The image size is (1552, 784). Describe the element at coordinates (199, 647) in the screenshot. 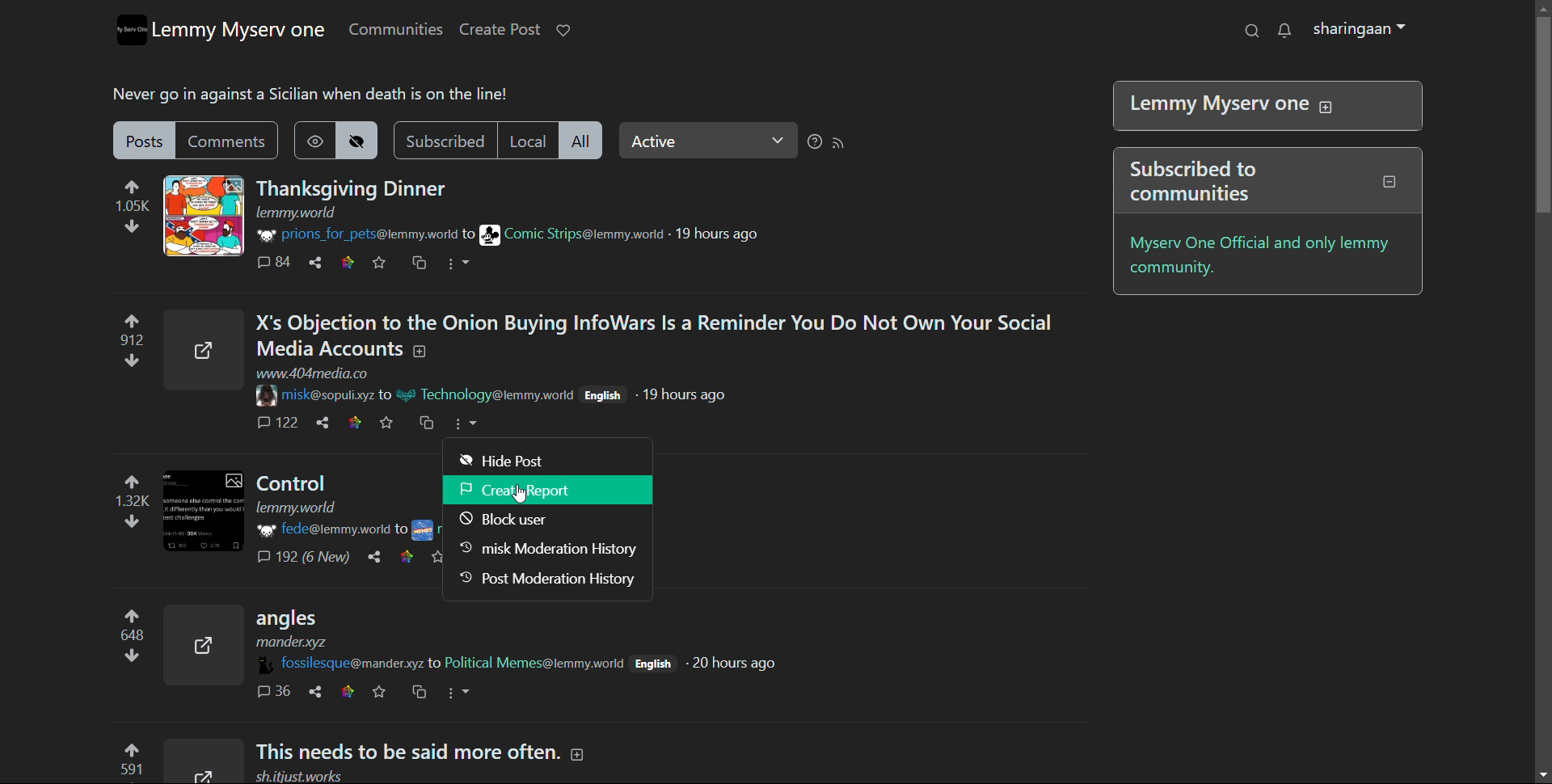

I see `Expand here with this image` at that location.